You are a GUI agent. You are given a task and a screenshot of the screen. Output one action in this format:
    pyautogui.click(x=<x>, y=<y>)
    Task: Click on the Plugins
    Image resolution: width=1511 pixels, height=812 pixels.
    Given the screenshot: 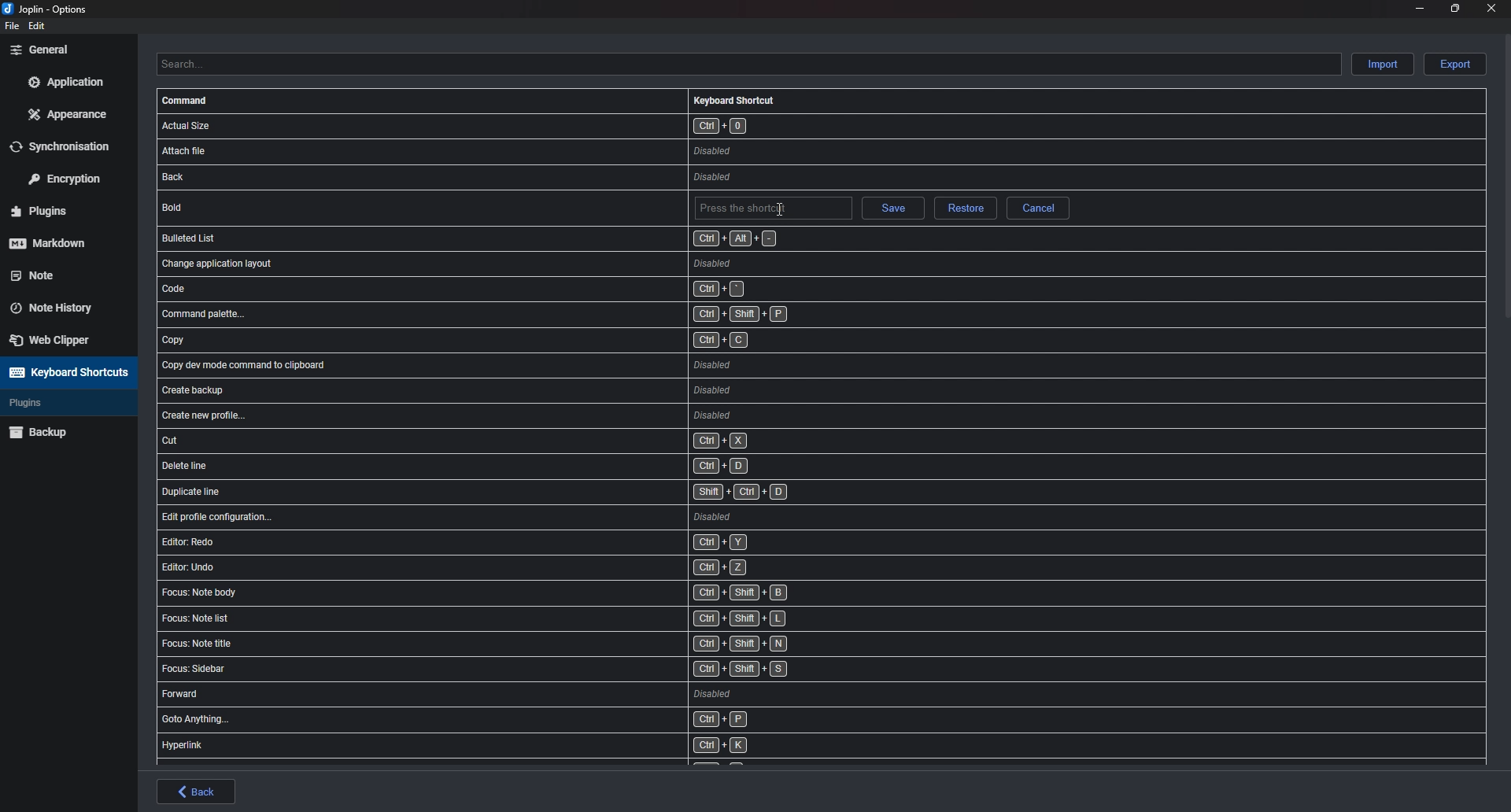 What is the action you would take?
    pyautogui.click(x=61, y=212)
    